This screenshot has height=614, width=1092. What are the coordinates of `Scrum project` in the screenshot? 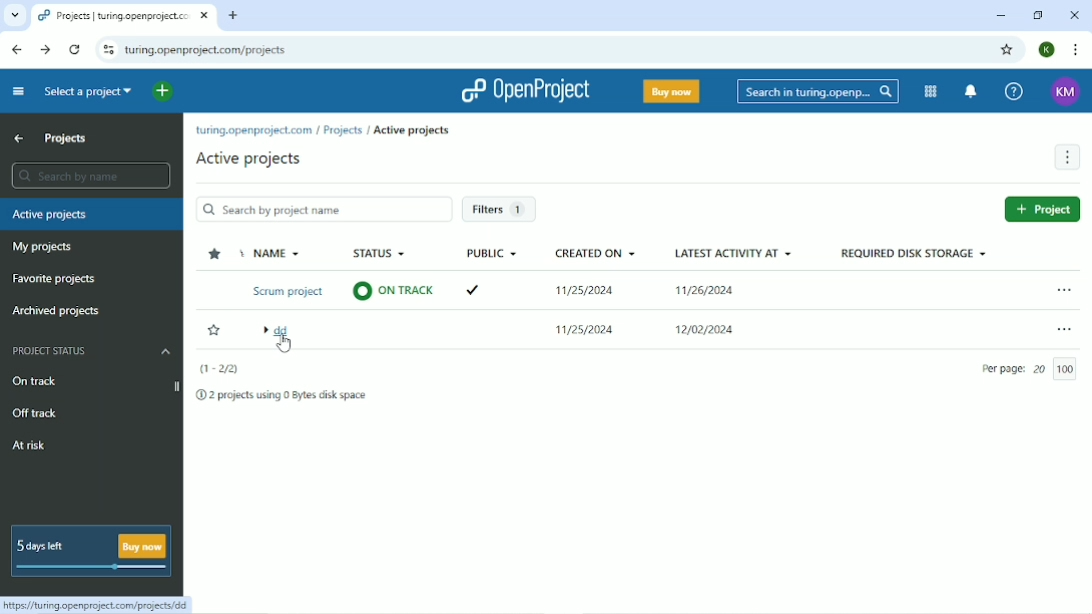 It's located at (283, 292).